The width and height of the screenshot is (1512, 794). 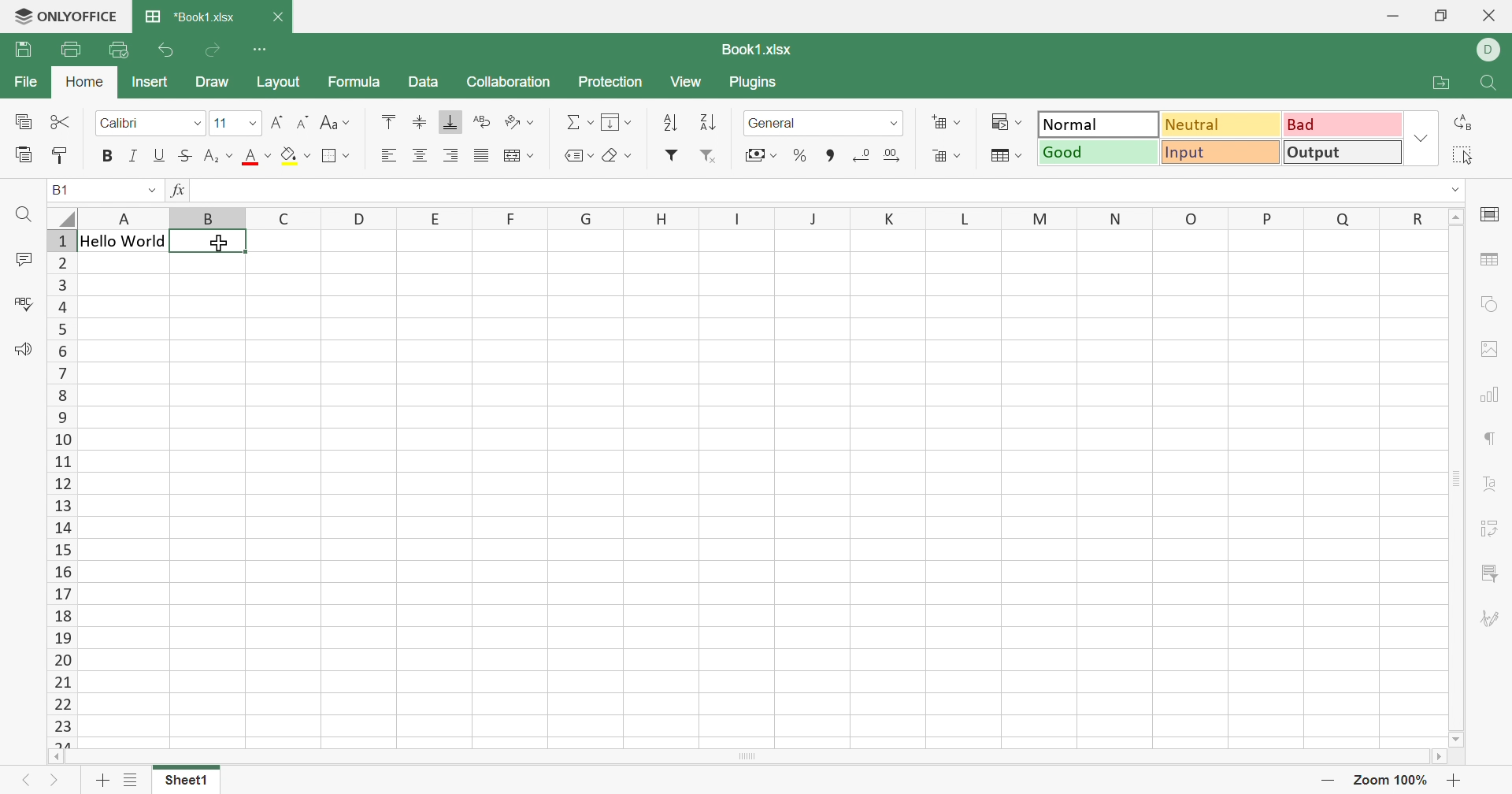 What do you see at coordinates (62, 488) in the screenshot?
I see `Row numbers` at bounding box center [62, 488].